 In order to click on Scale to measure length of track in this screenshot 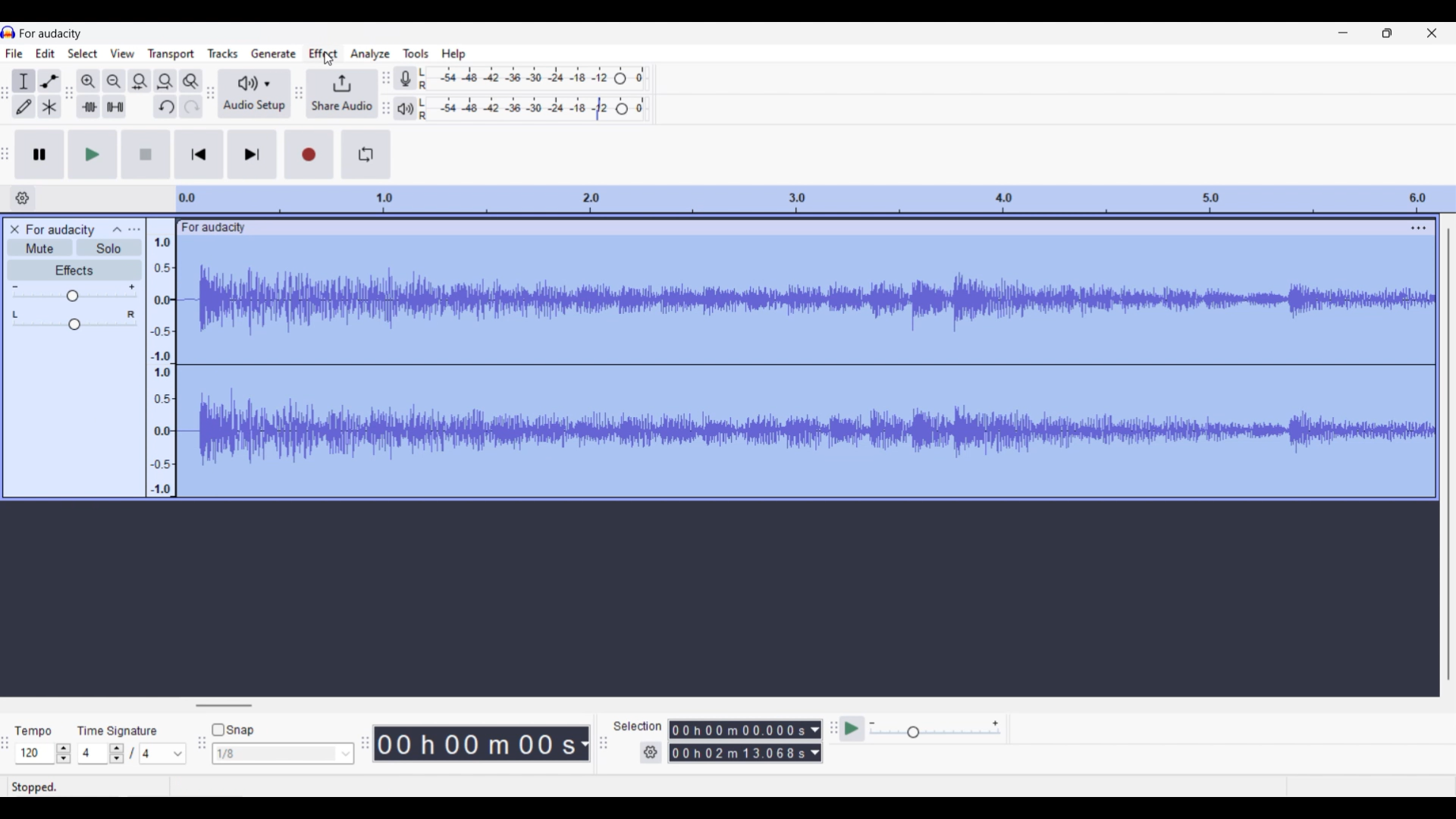, I will do `click(815, 199)`.